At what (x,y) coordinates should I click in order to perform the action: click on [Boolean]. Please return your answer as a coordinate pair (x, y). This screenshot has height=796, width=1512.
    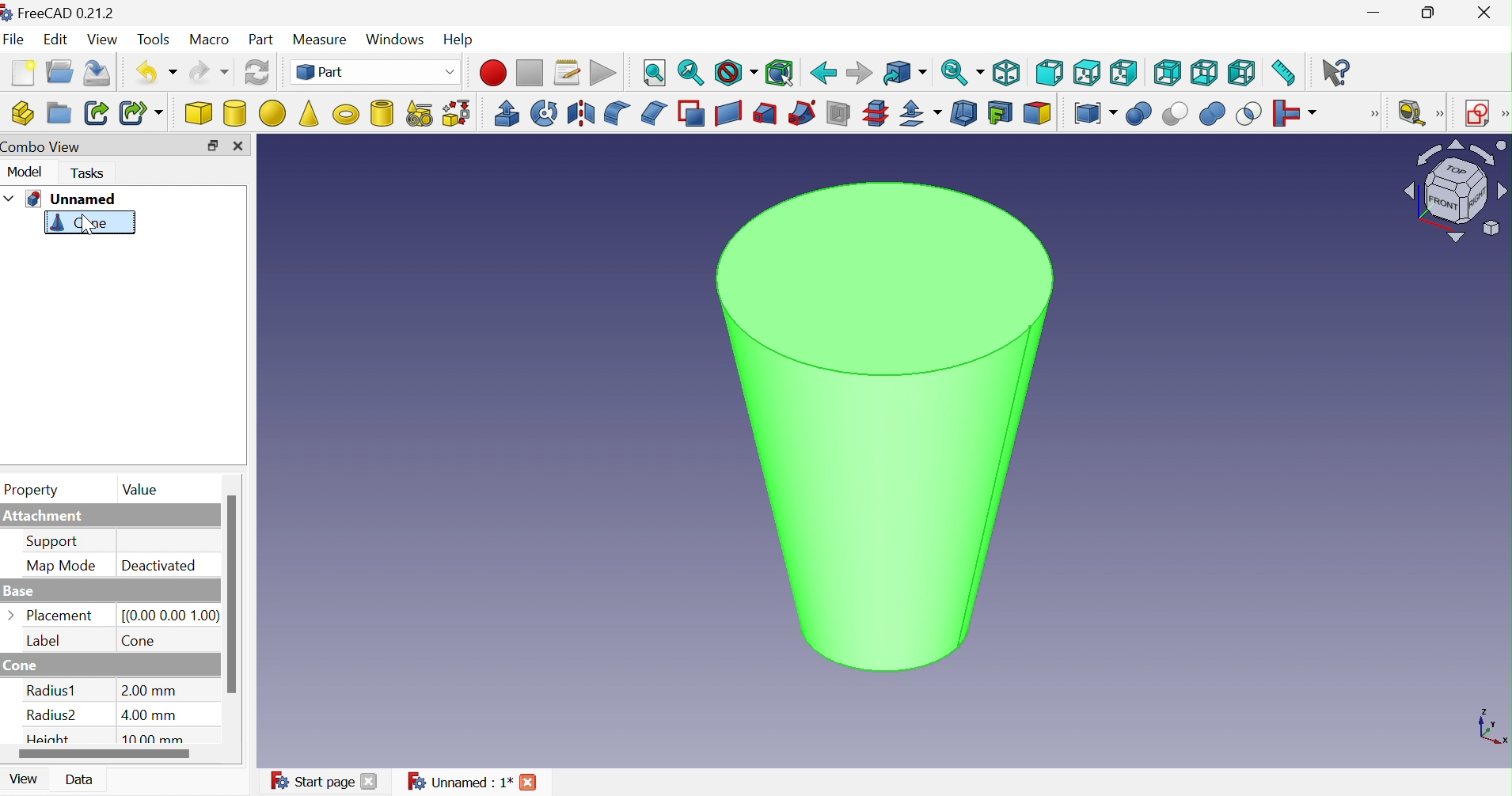
    Looking at the image, I should click on (1378, 118).